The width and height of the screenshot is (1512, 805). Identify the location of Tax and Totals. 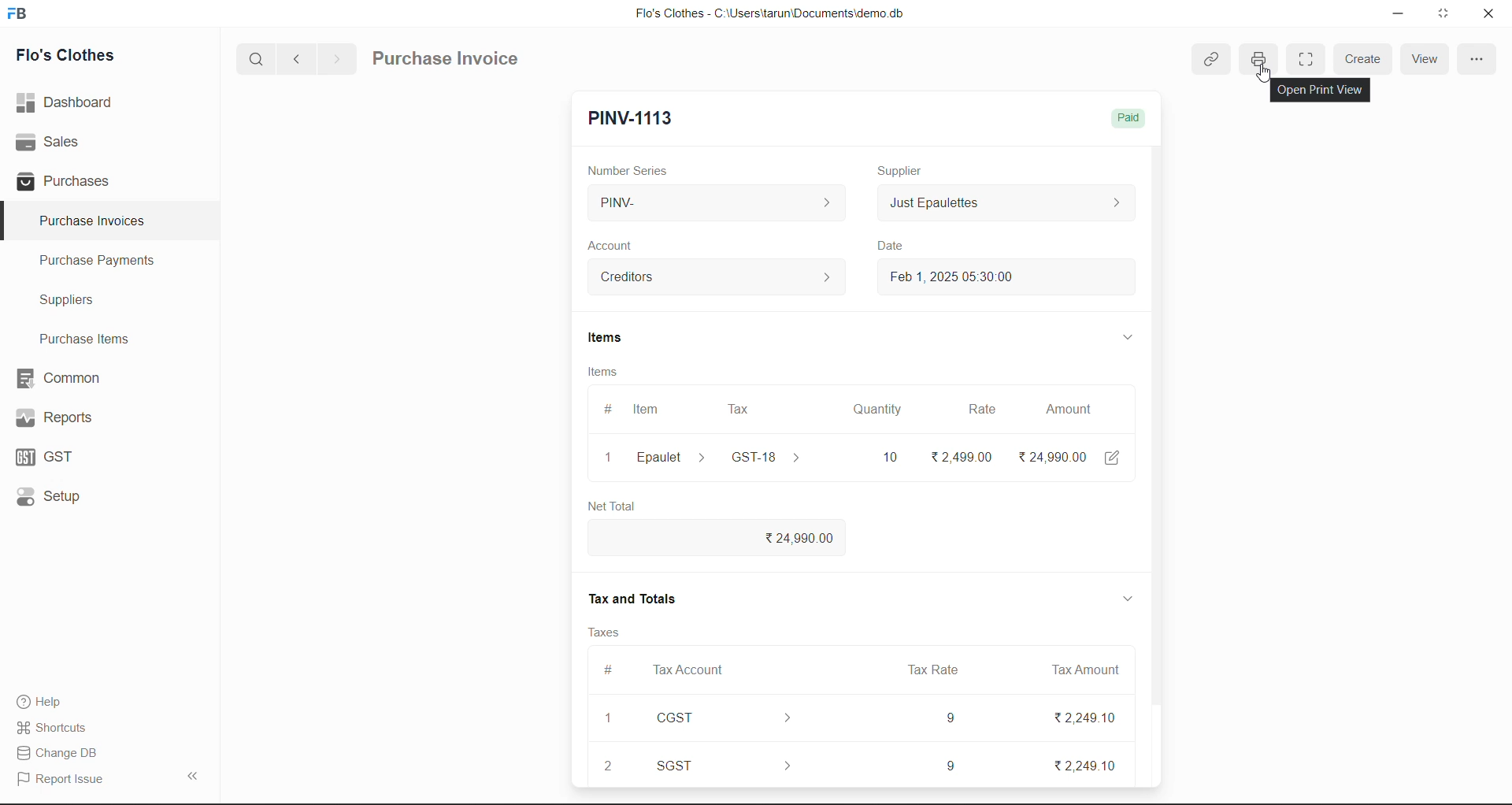
(636, 602).